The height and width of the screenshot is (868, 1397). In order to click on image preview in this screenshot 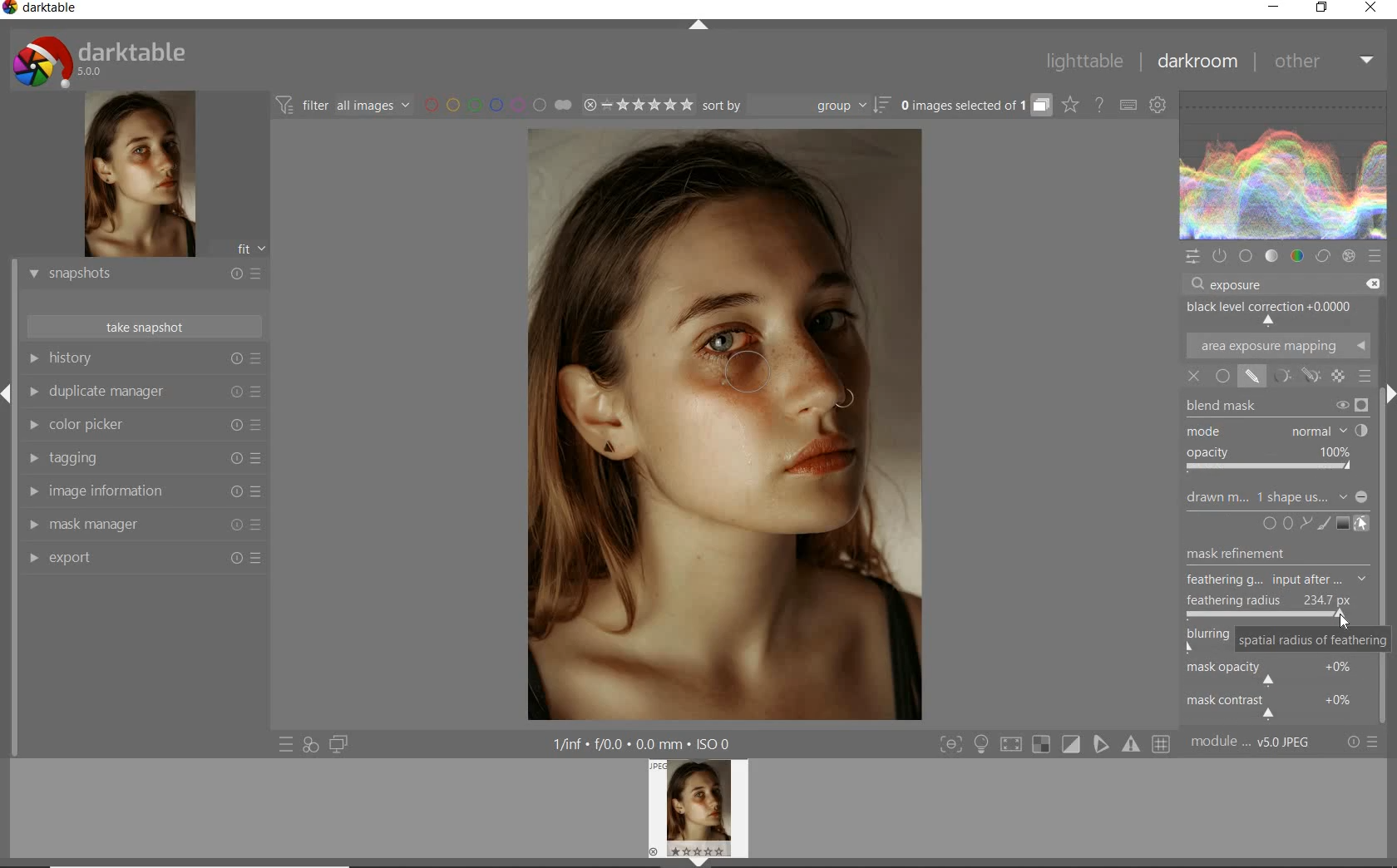, I will do `click(132, 175)`.